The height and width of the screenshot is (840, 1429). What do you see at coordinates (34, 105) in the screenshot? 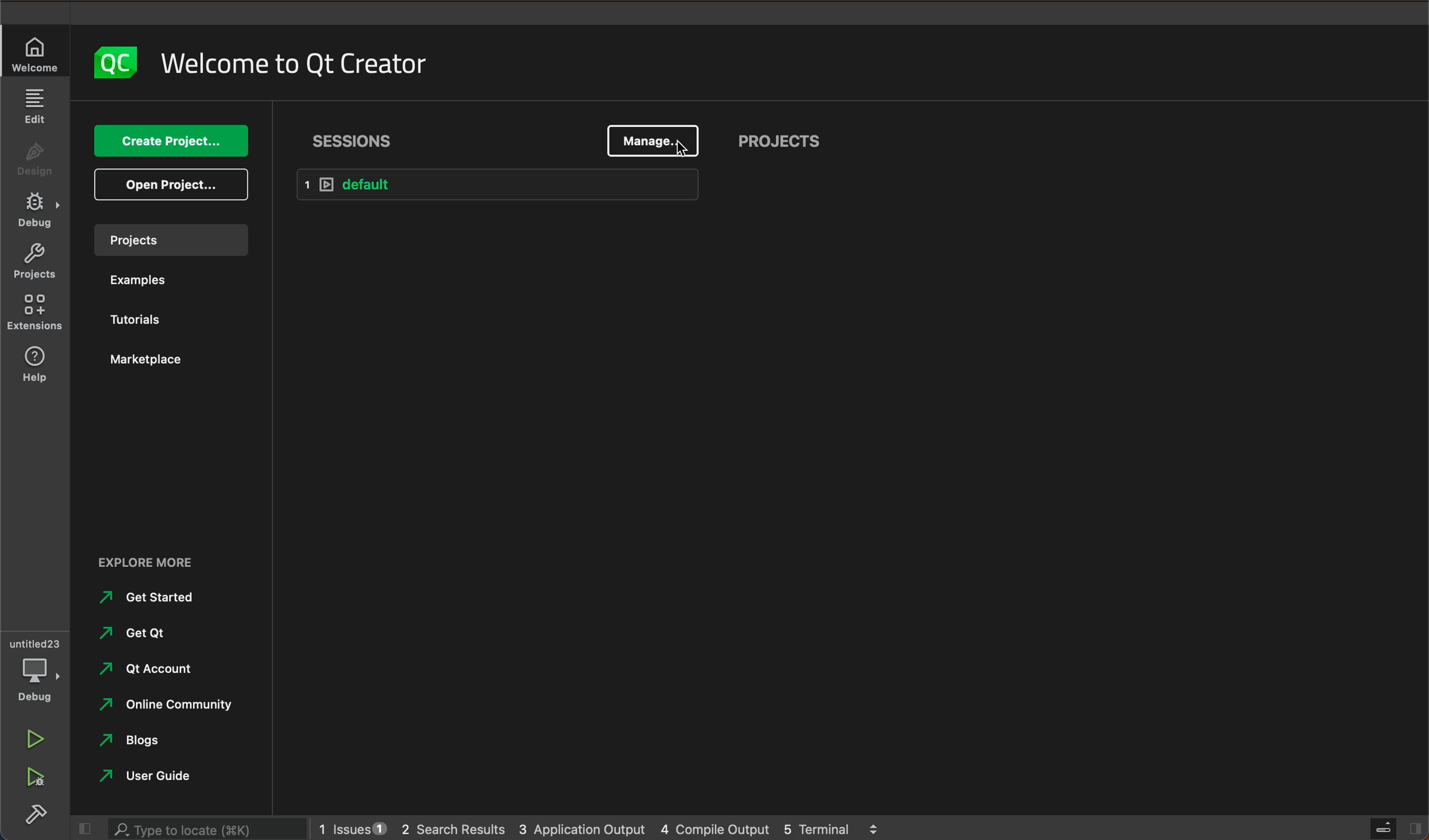
I see `edit` at bounding box center [34, 105].